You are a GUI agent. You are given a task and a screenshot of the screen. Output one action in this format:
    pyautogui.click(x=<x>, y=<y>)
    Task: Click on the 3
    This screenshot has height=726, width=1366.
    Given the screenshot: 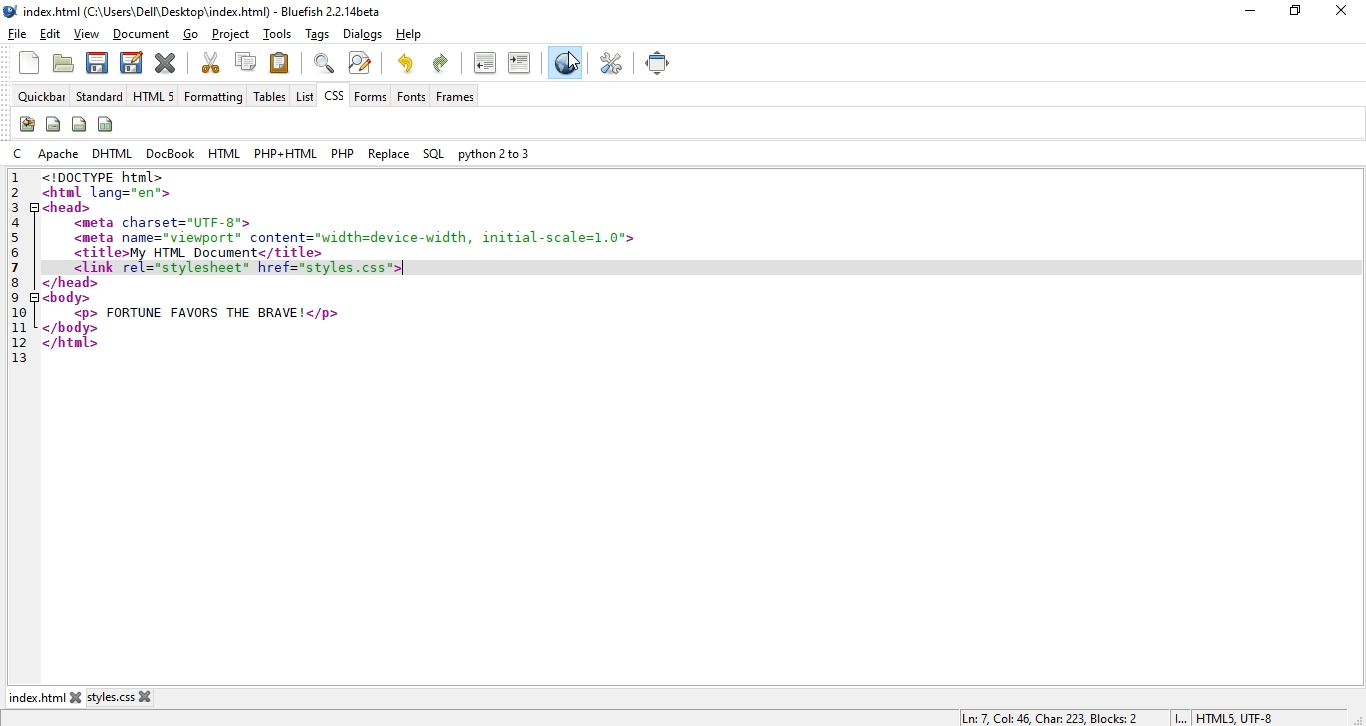 What is the action you would take?
    pyautogui.click(x=18, y=205)
    